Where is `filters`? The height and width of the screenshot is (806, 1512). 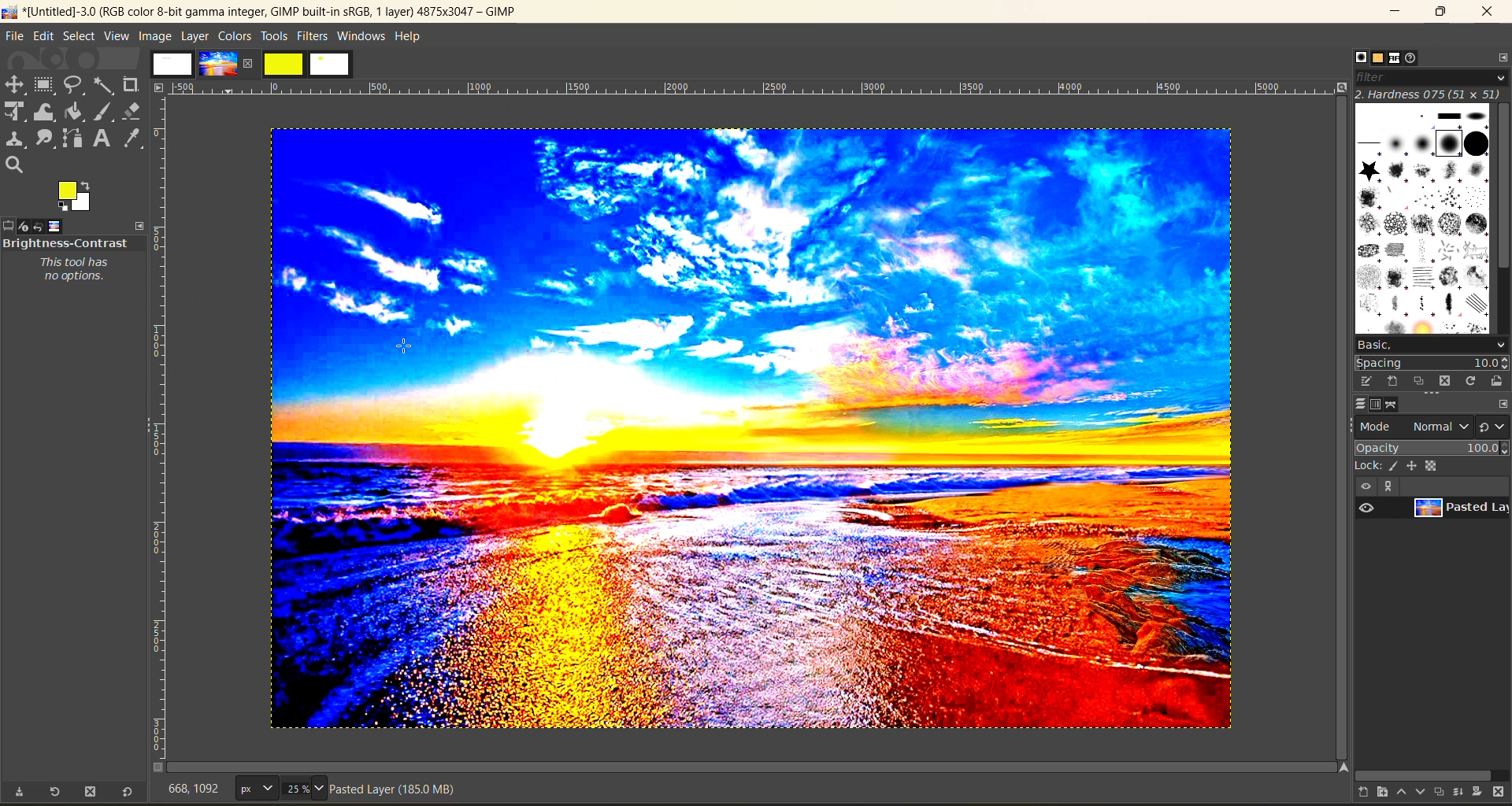 filters is located at coordinates (314, 35).